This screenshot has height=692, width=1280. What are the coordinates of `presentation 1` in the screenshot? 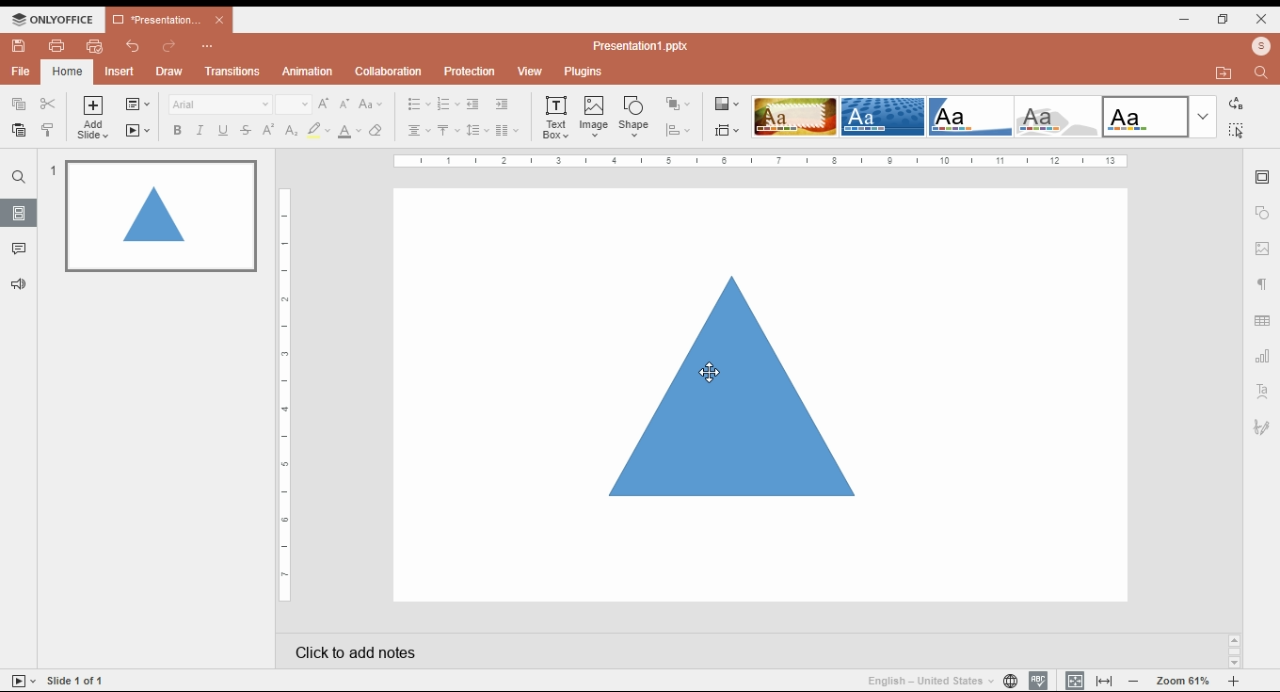 It's located at (167, 20).